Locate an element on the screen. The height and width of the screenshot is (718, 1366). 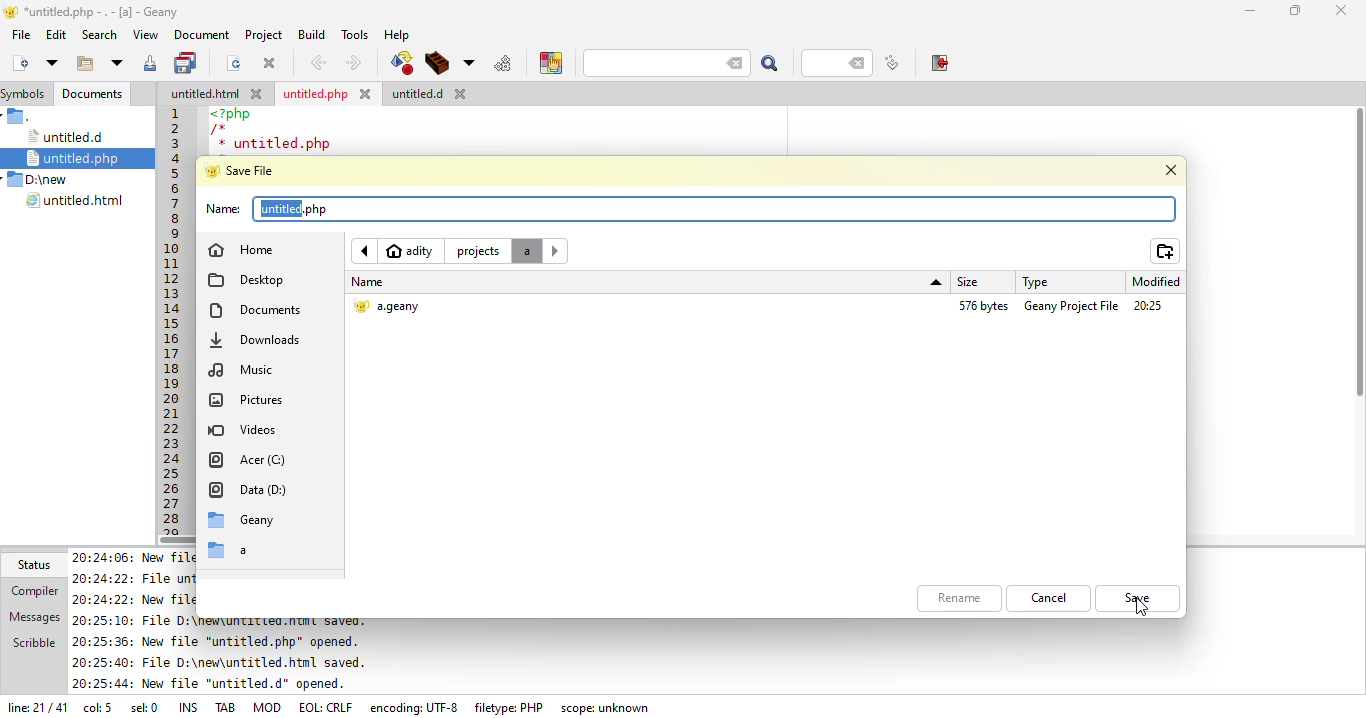
desktop is located at coordinates (249, 281).